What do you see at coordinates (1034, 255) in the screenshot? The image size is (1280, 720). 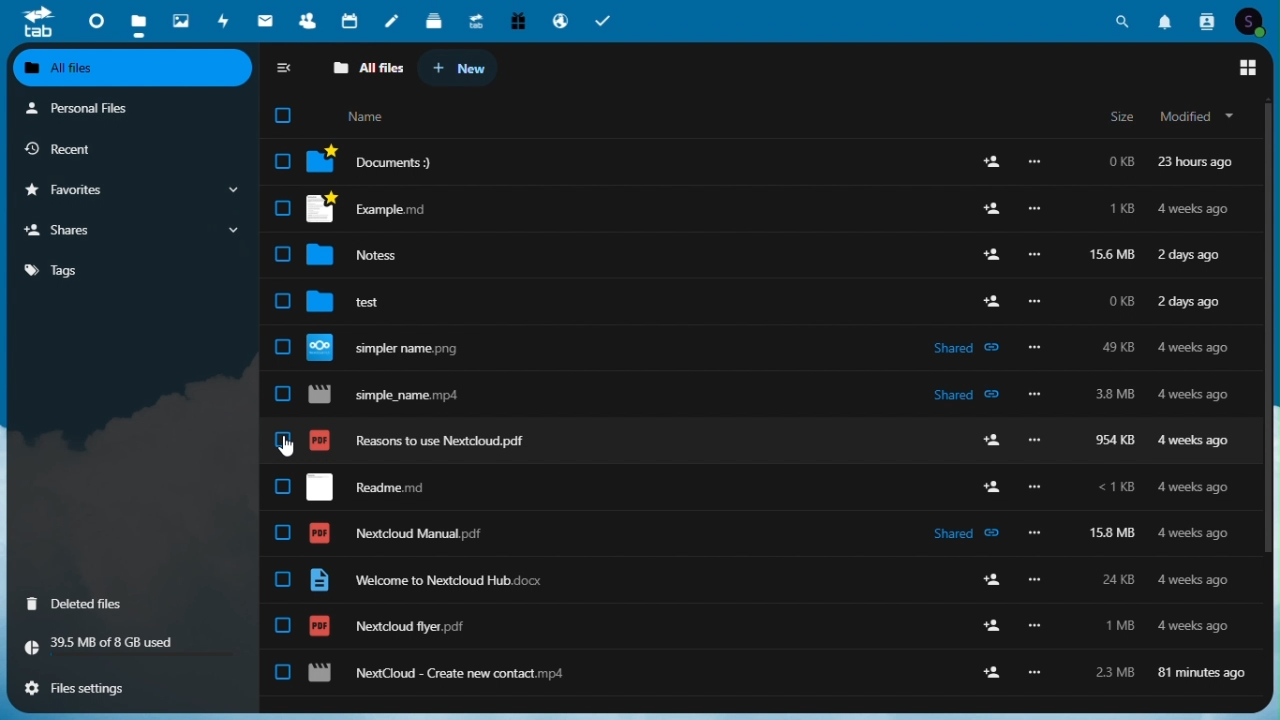 I see `` at bounding box center [1034, 255].